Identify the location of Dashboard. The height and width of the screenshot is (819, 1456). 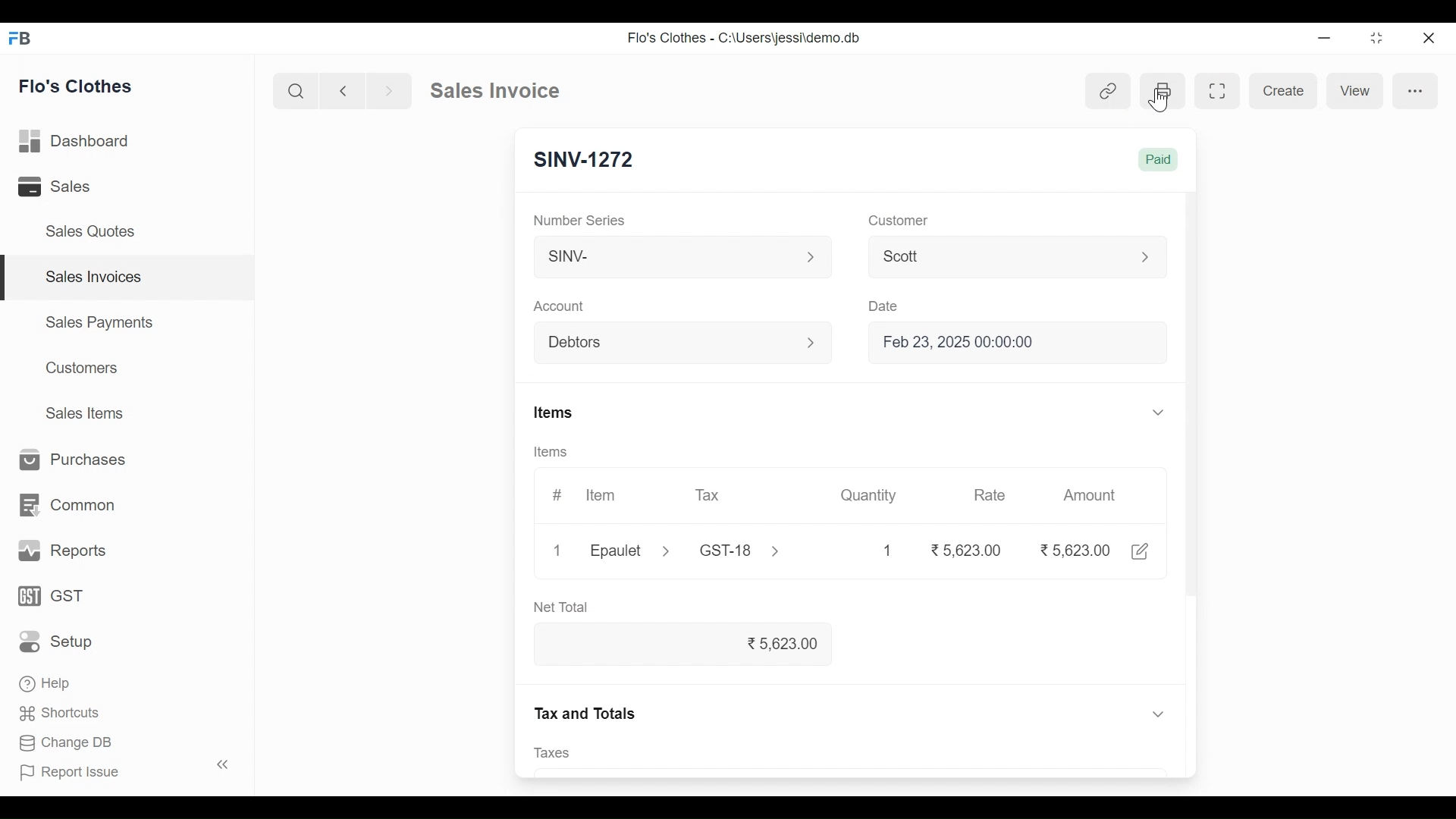
(76, 142).